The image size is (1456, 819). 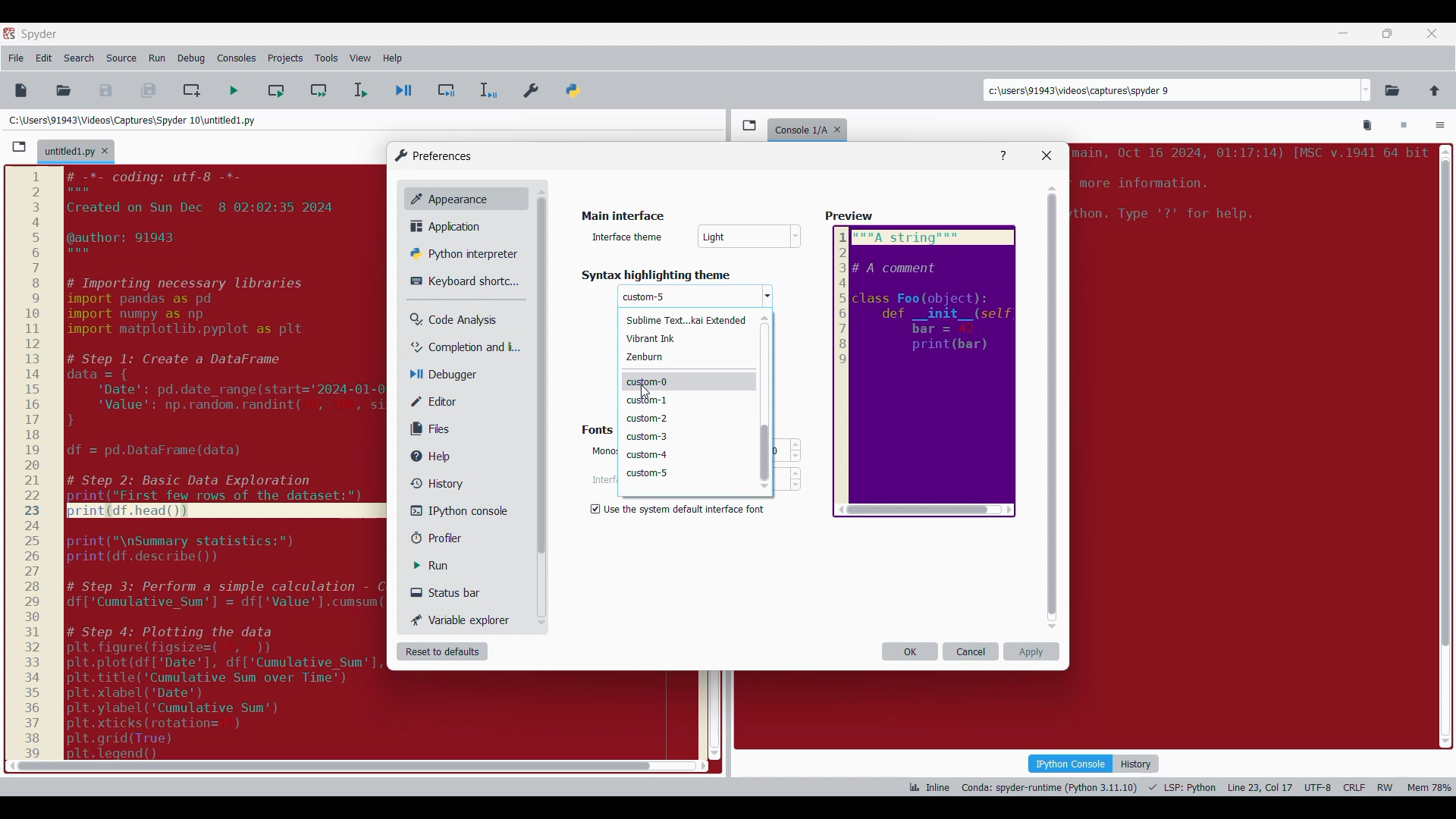 I want to click on Change to parent directory, so click(x=1435, y=90).